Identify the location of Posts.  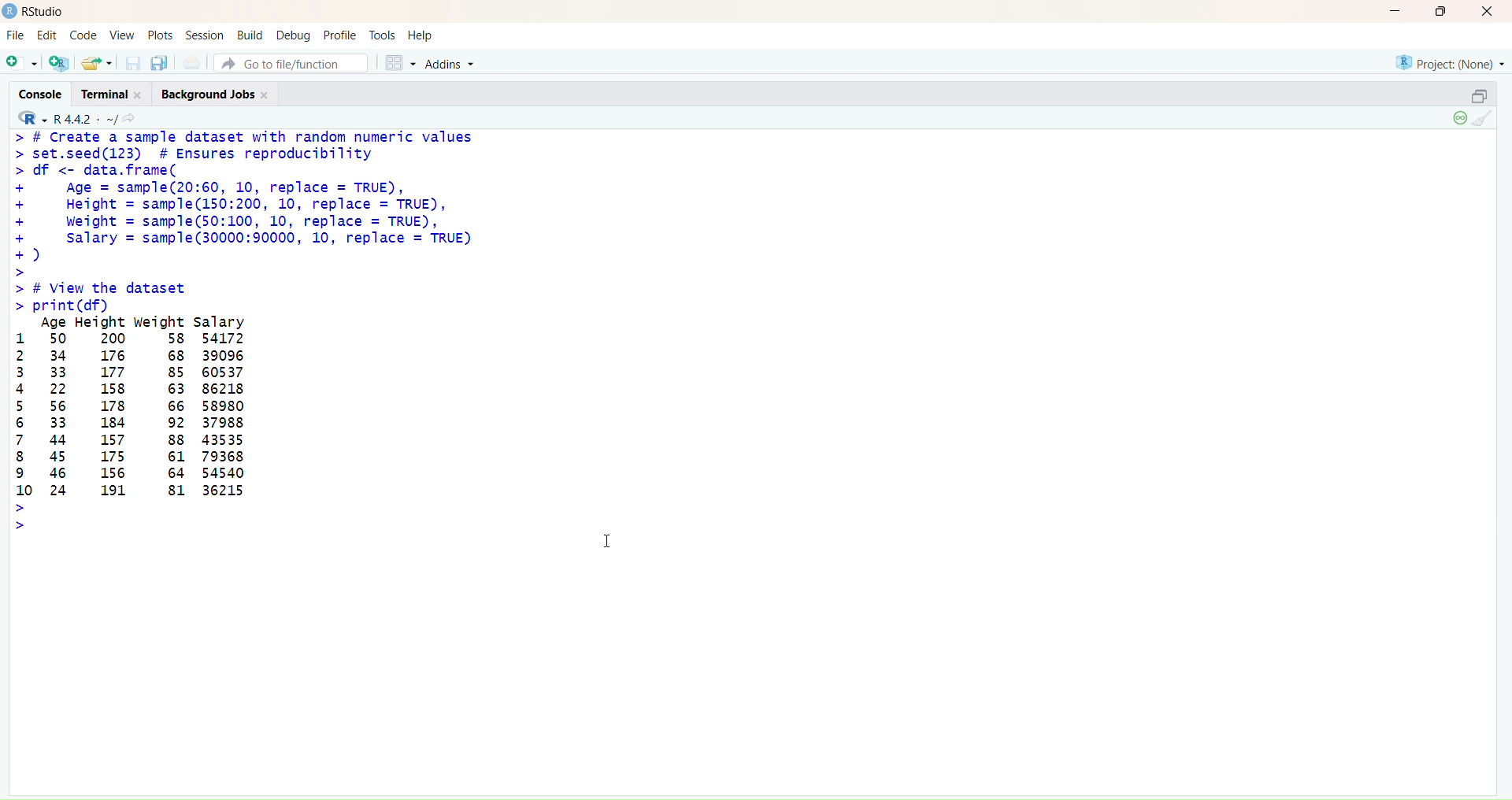
(157, 35).